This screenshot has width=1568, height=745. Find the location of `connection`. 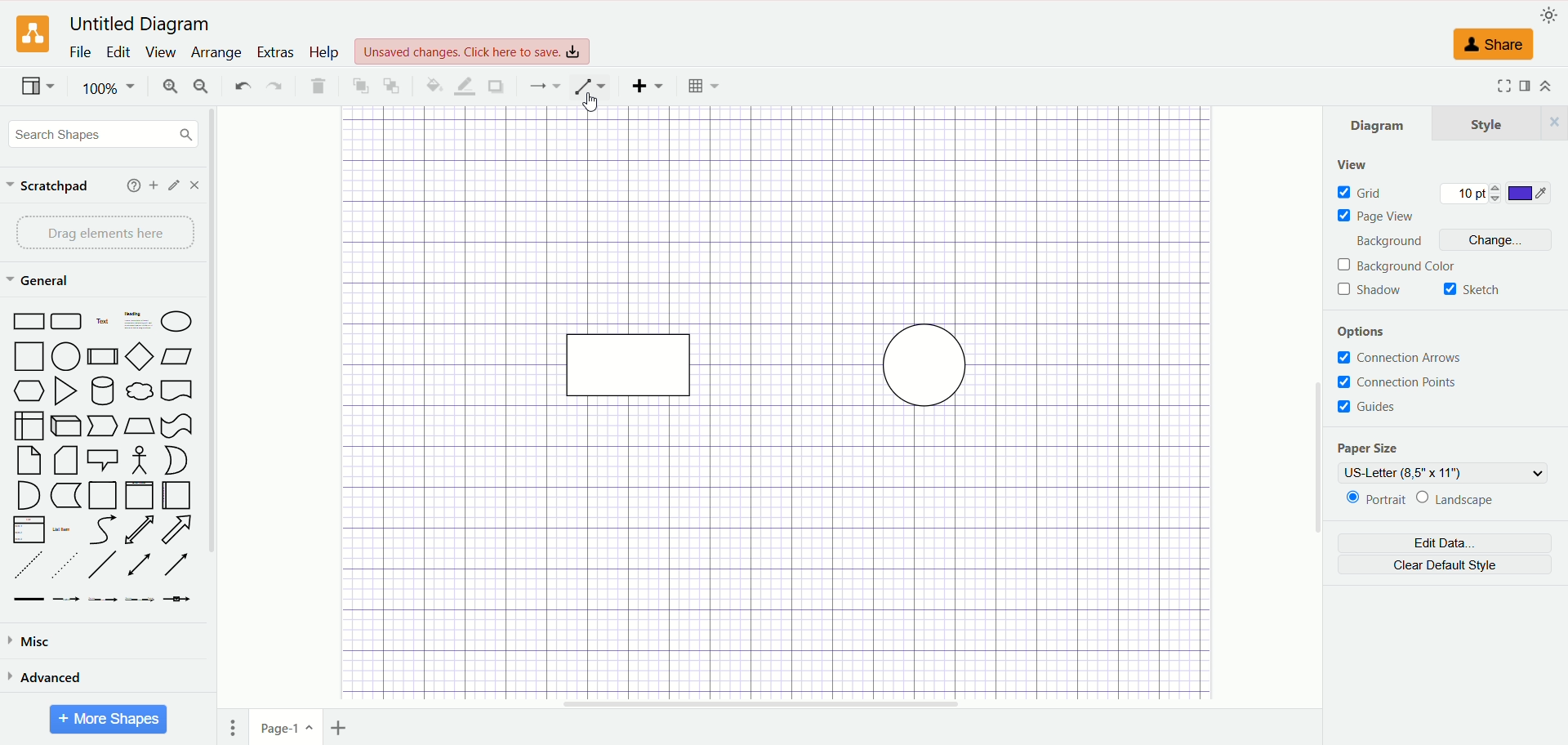

connection is located at coordinates (545, 85).